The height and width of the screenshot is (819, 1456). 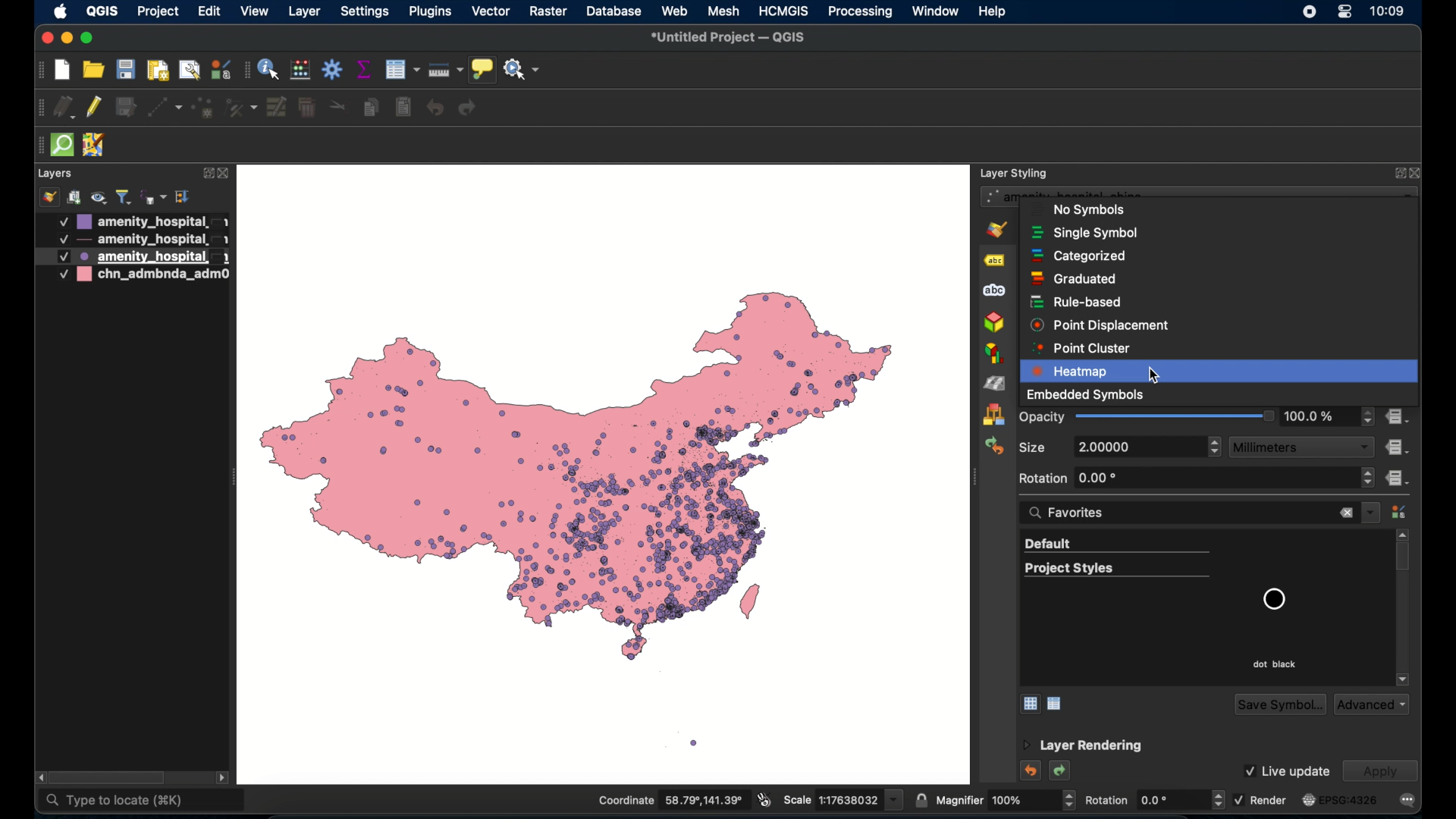 What do you see at coordinates (142, 221) in the screenshot?
I see `layer 1` at bounding box center [142, 221].